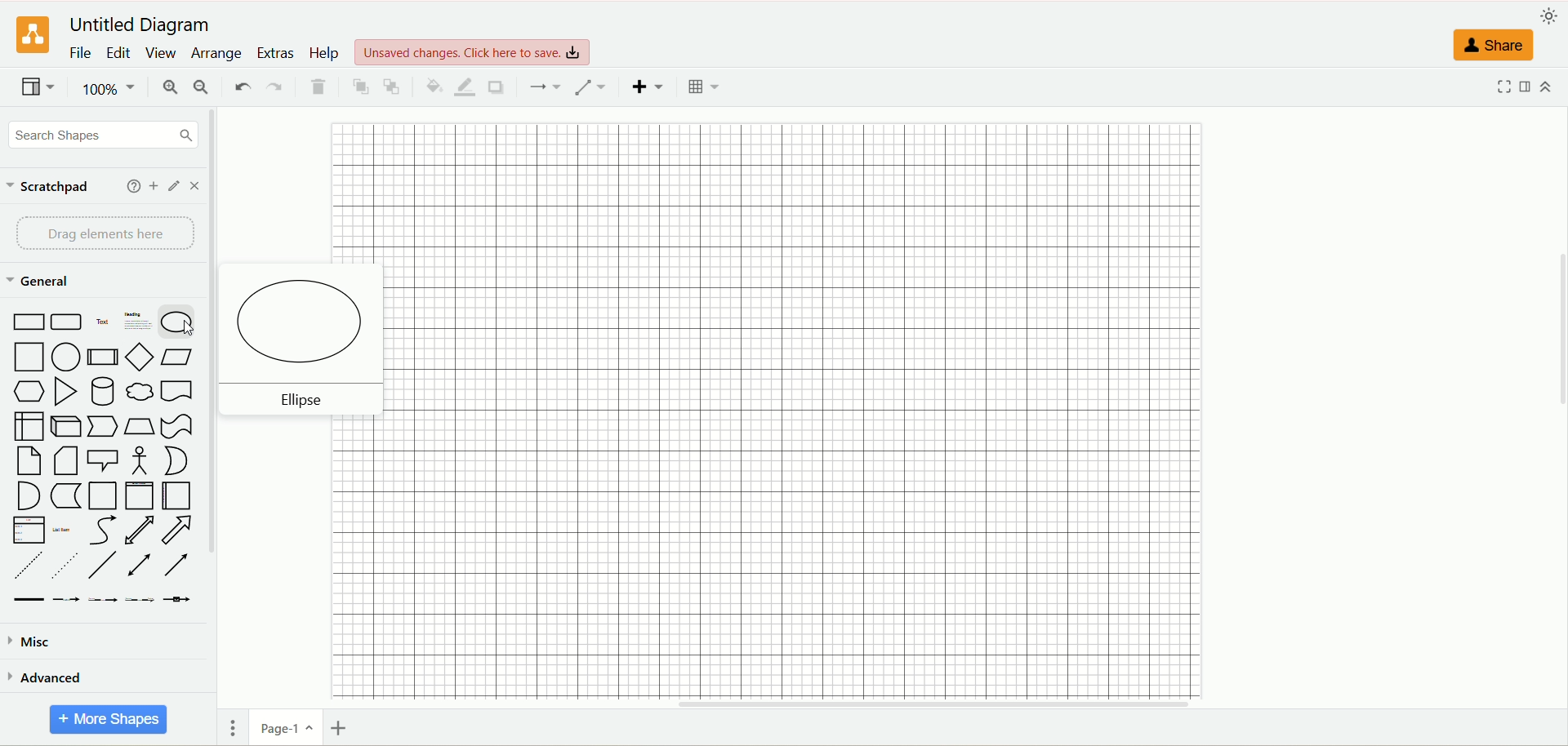 The image size is (1568, 746). Describe the element at coordinates (179, 391) in the screenshot. I see `document` at that location.